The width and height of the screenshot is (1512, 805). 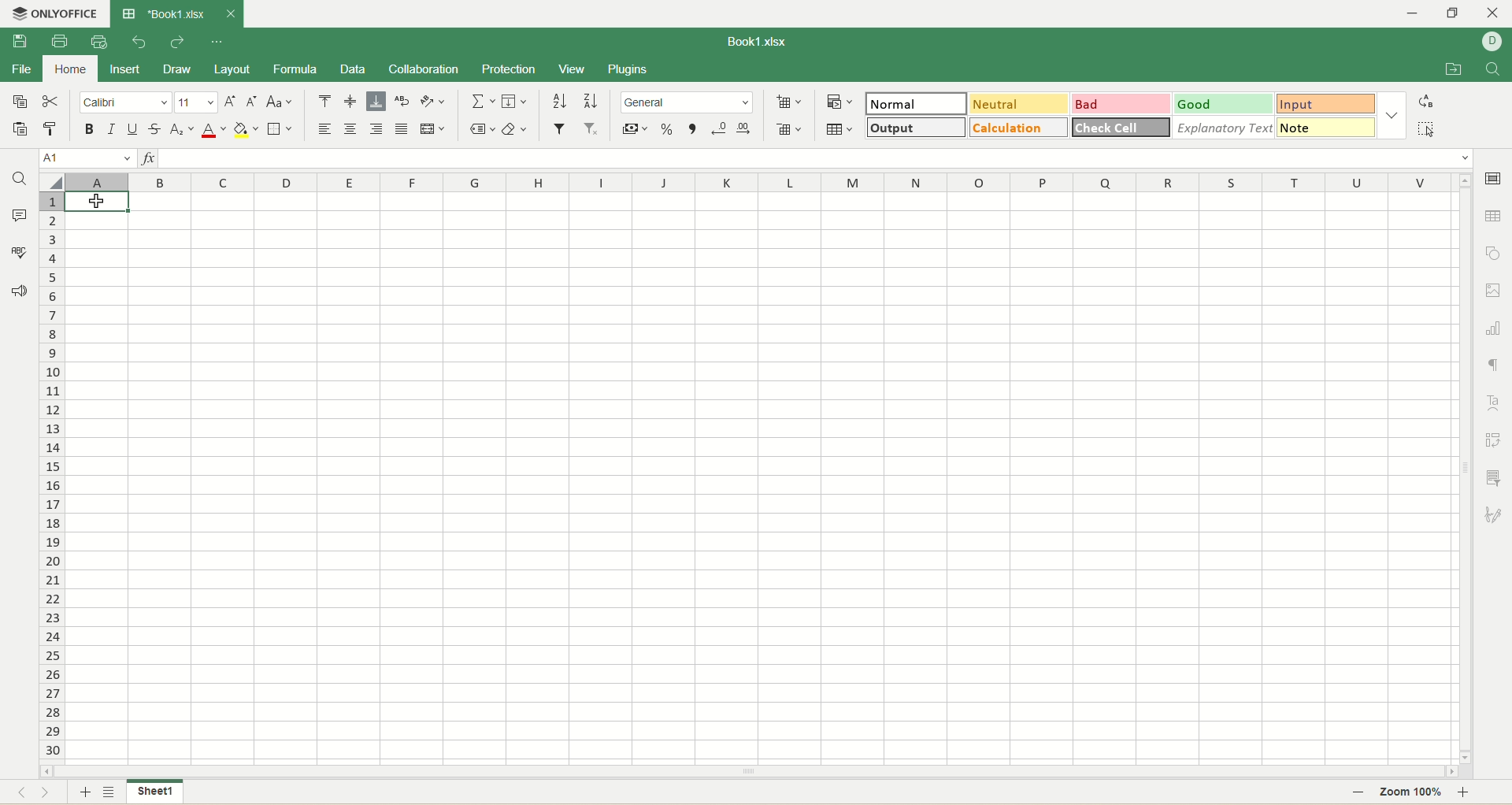 What do you see at coordinates (484, 100) in the screenshot?
I see `summation` at bounding box center [484, 100].